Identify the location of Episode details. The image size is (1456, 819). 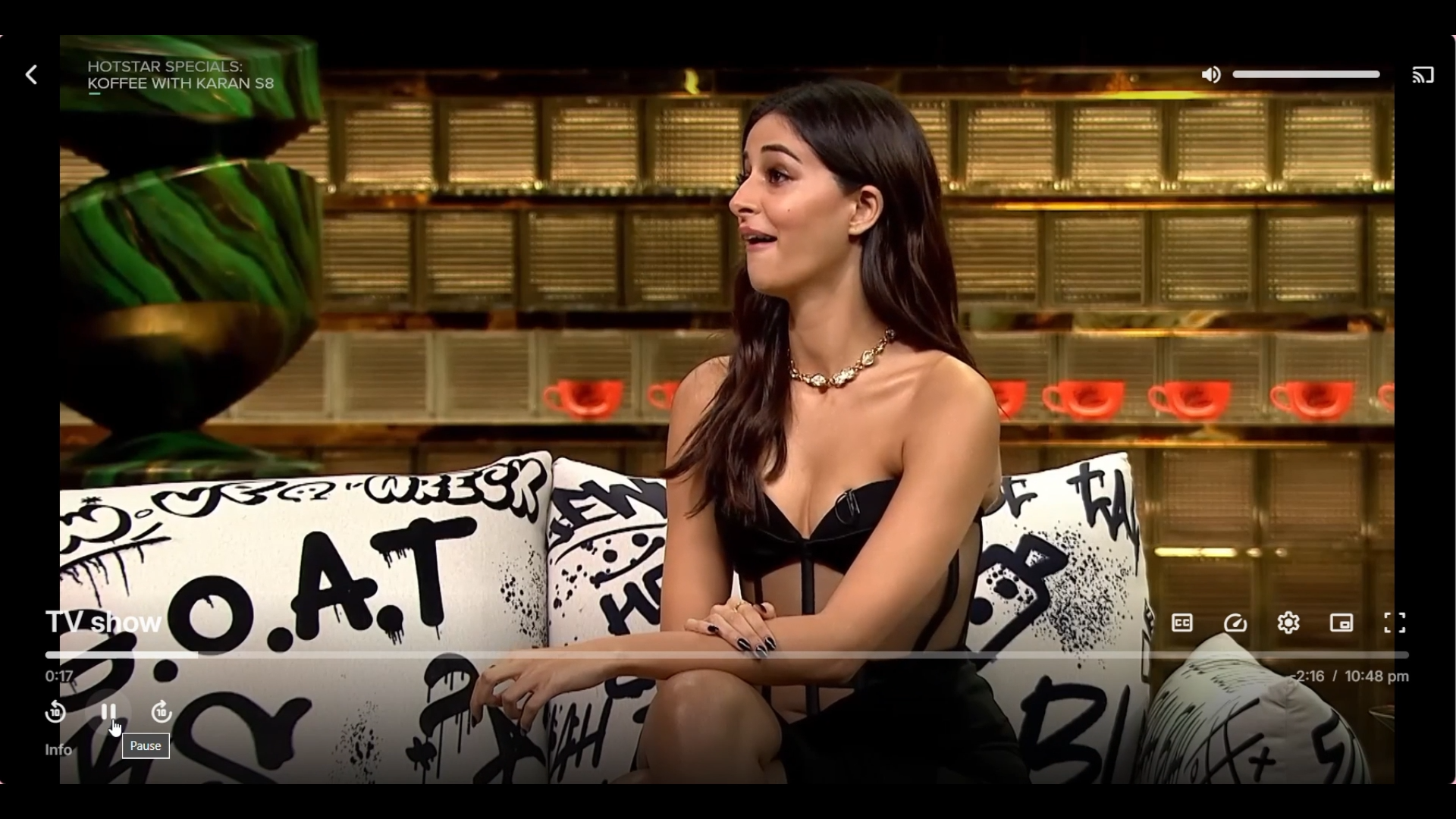
(182, 76).